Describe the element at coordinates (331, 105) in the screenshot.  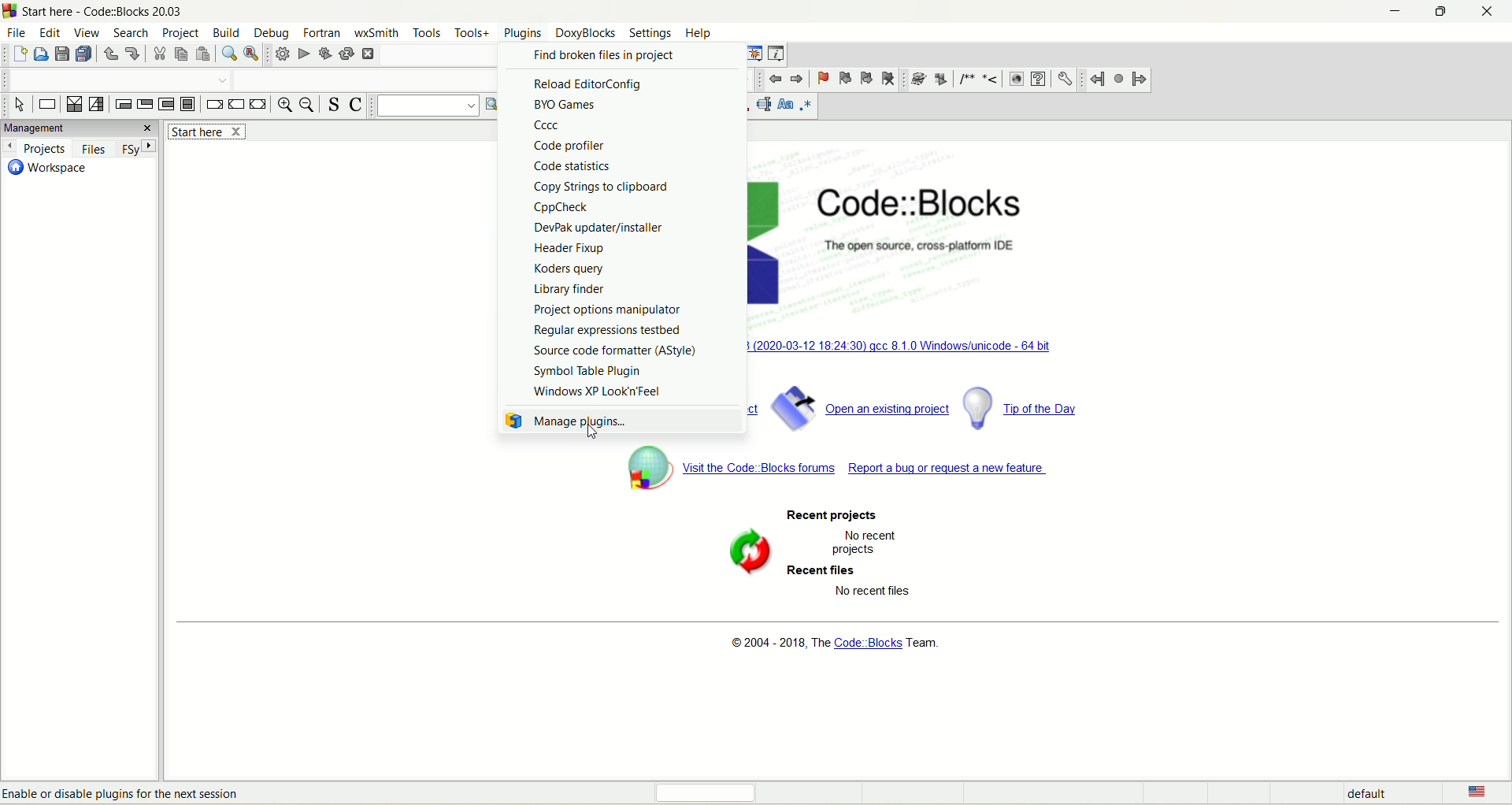
I see `toggle source` at that location.